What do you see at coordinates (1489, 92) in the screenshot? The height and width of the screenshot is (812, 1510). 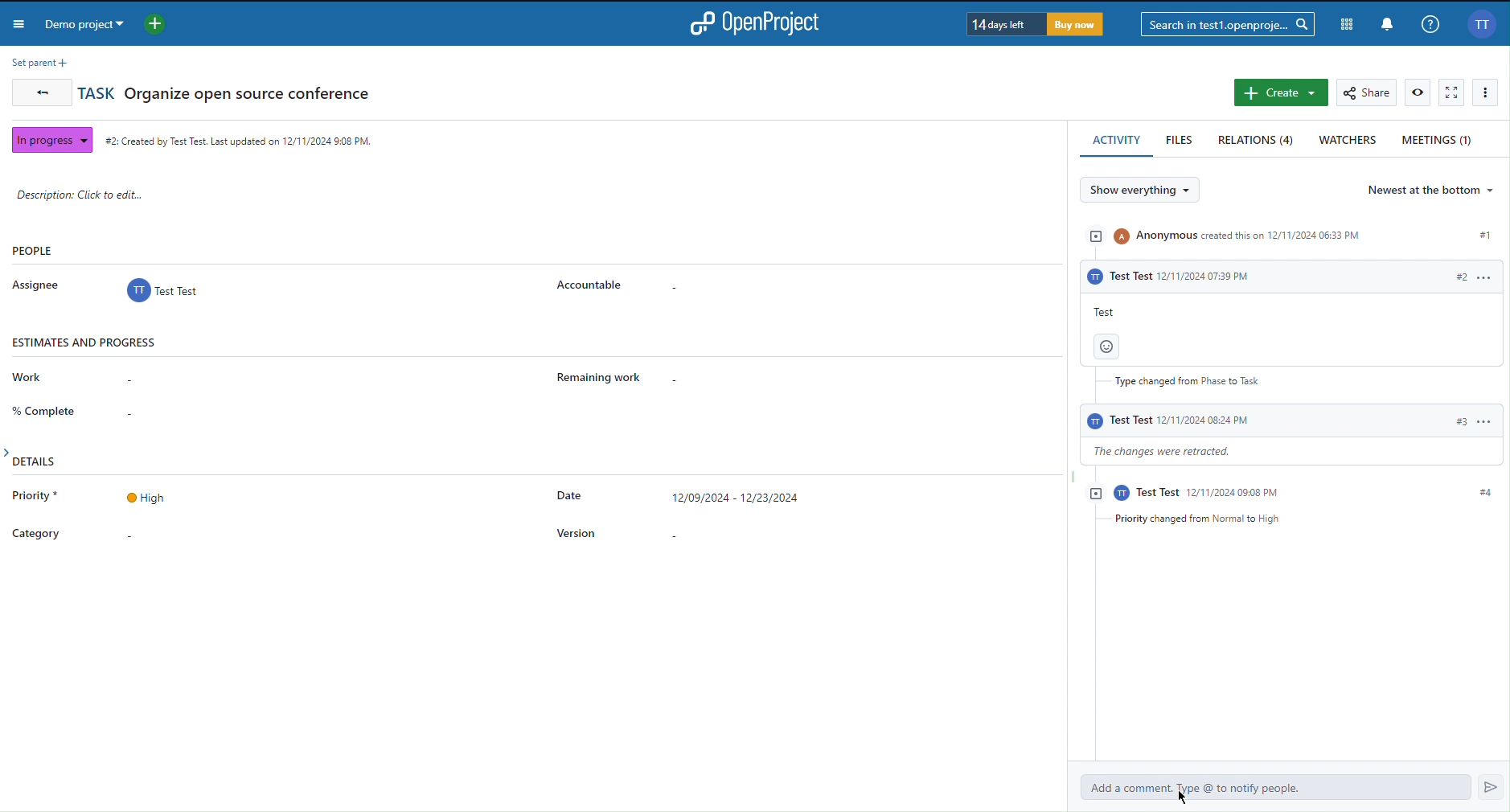 I see `Options` at bounding box center [1489, 92].